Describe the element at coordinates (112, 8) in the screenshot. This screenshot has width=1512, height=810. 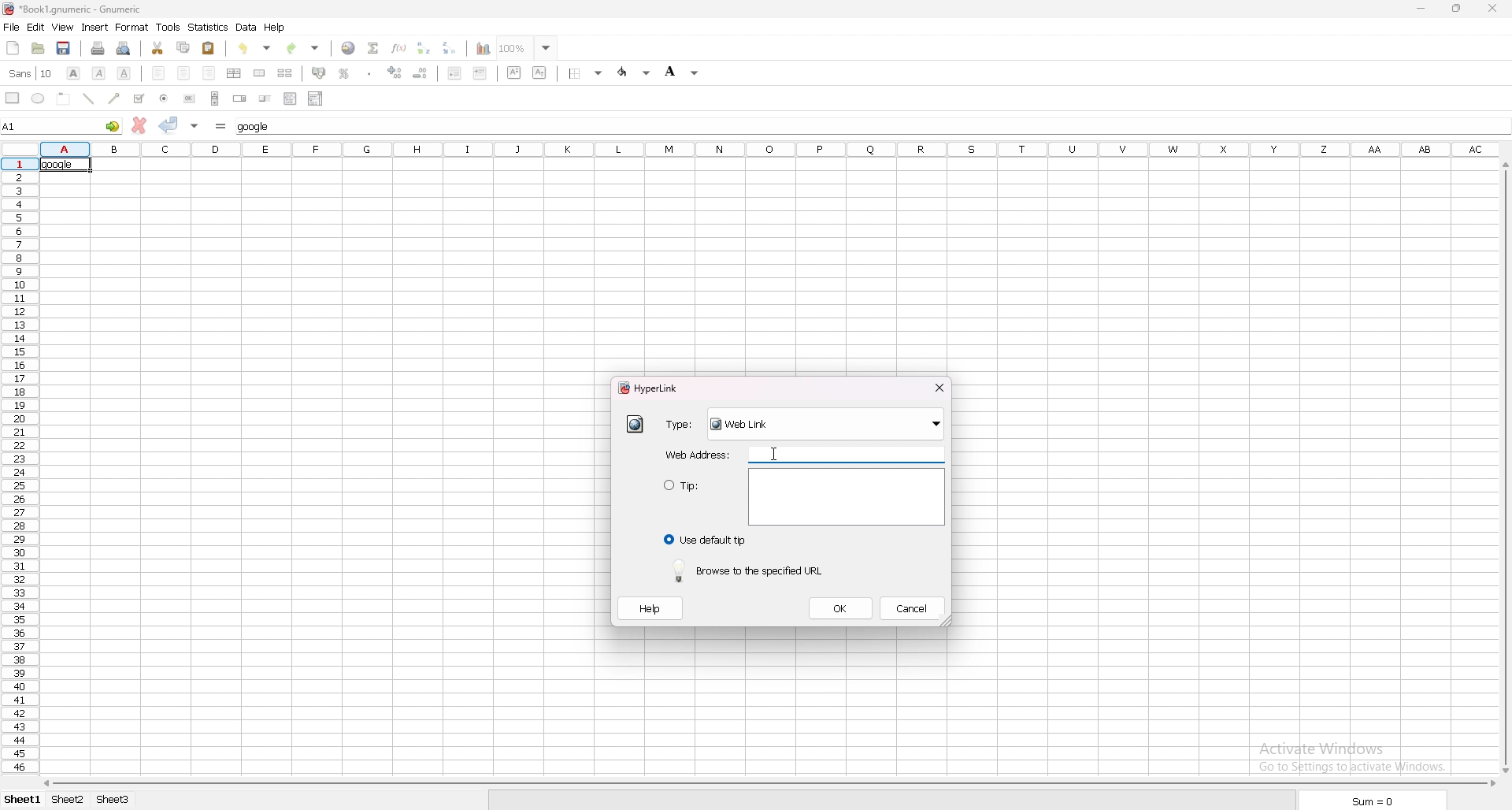
I see `file name` at that location.